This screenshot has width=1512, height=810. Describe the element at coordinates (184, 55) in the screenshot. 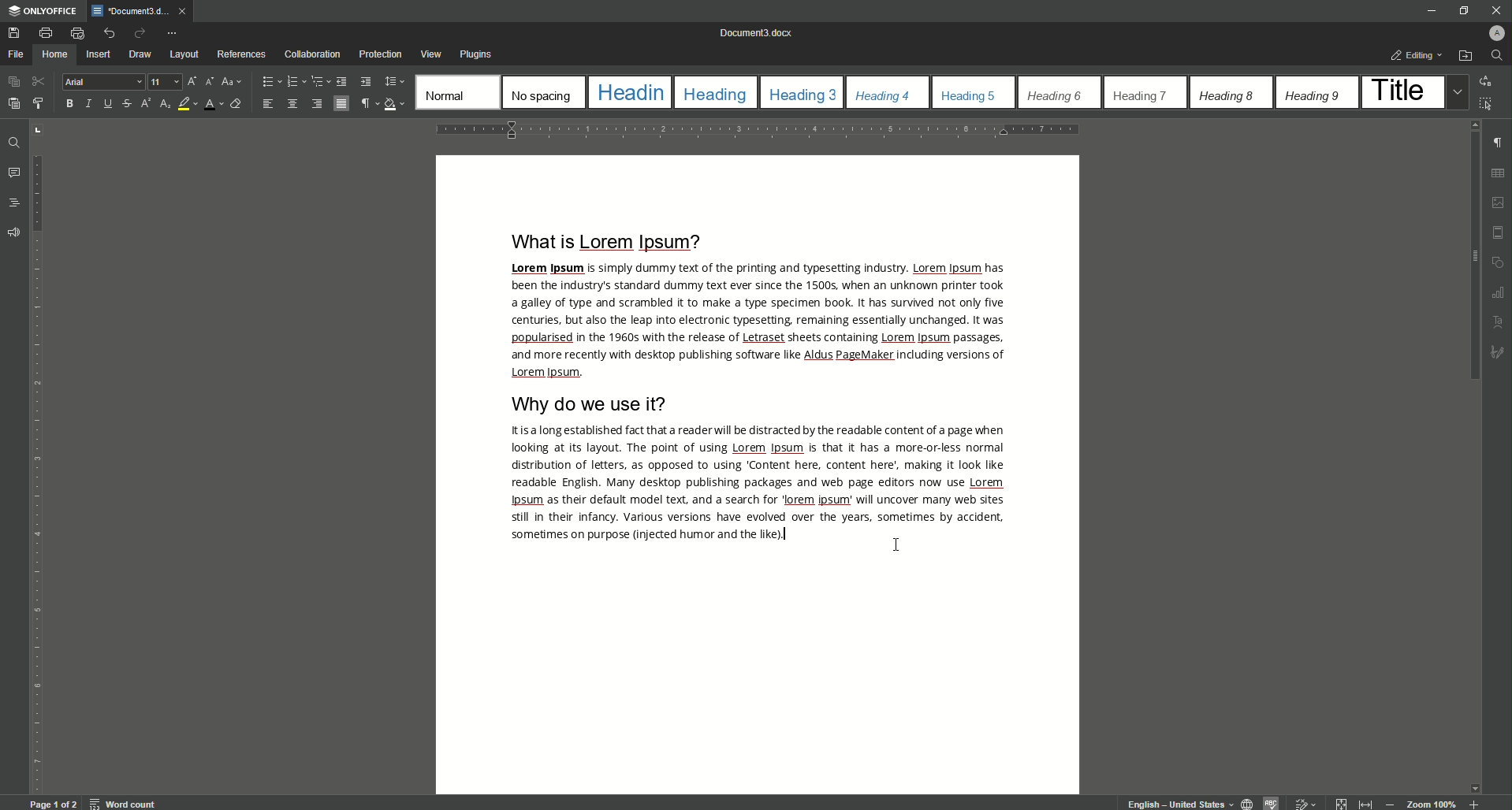

I see `Layout` at that location.